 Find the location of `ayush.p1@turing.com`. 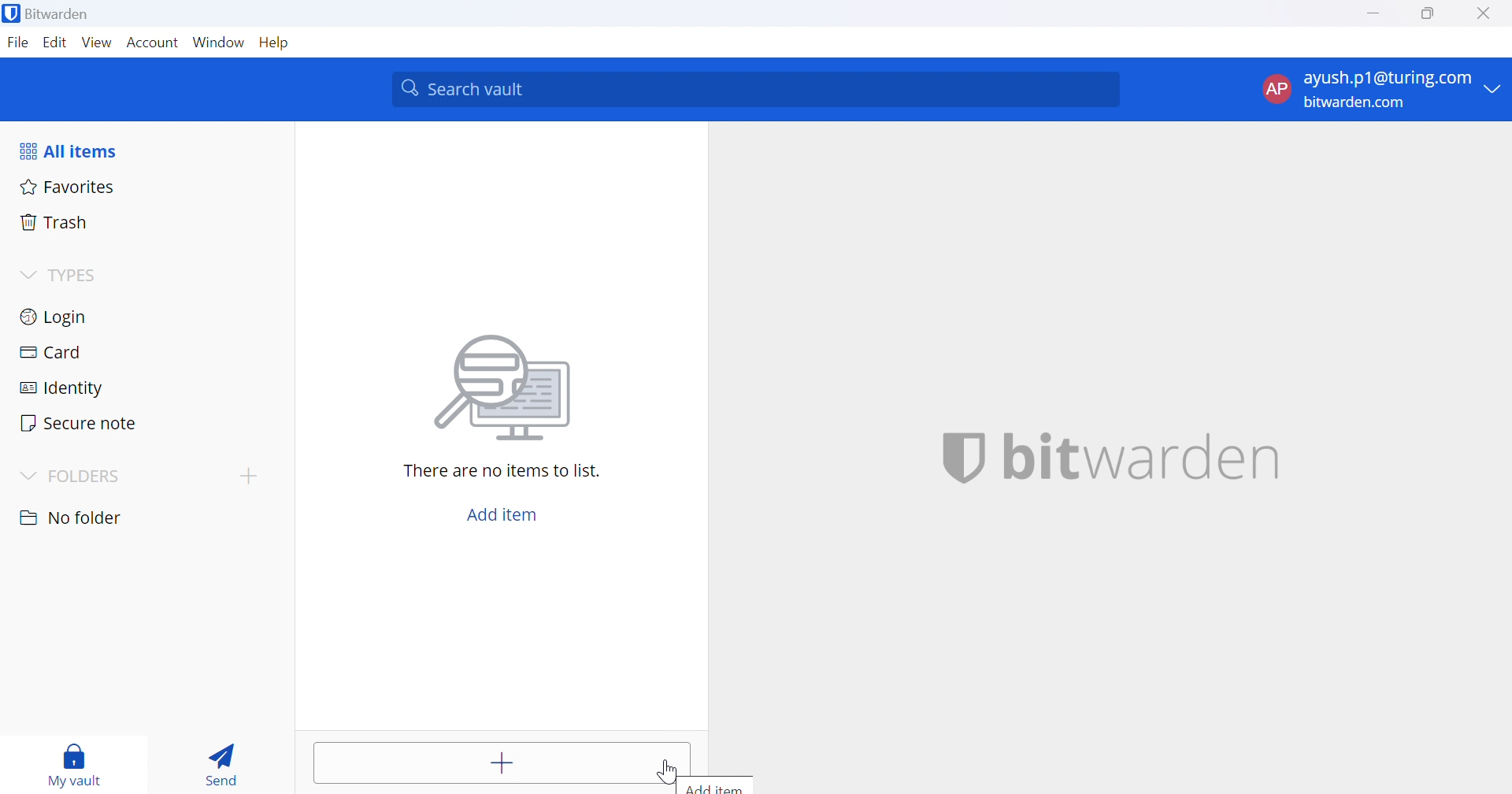

ayush.p1@turing.com is located at coordinates (1388, 78).